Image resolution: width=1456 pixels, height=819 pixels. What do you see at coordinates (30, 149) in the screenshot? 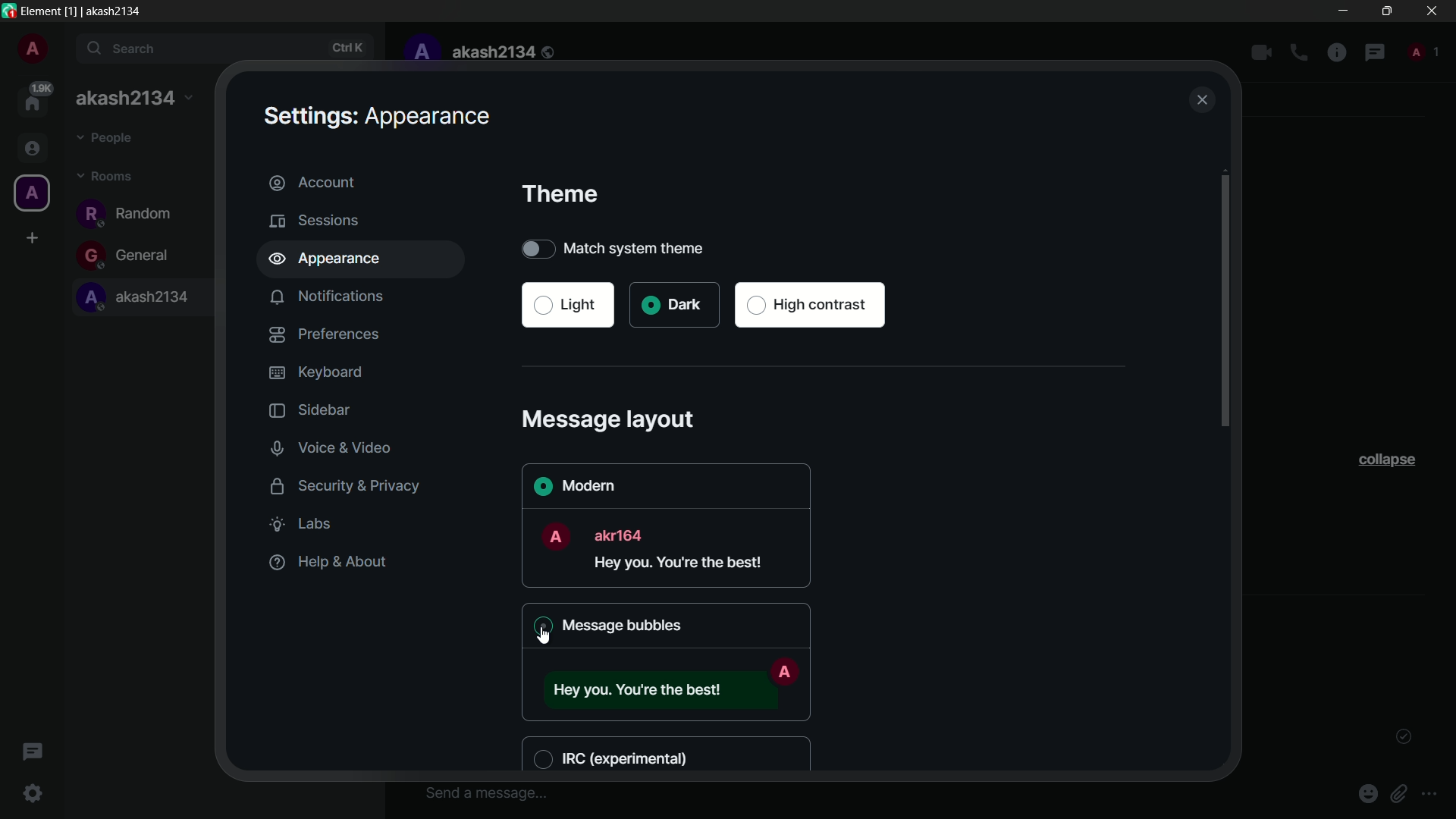
I see `people icon` at bounding box center [30, 149].